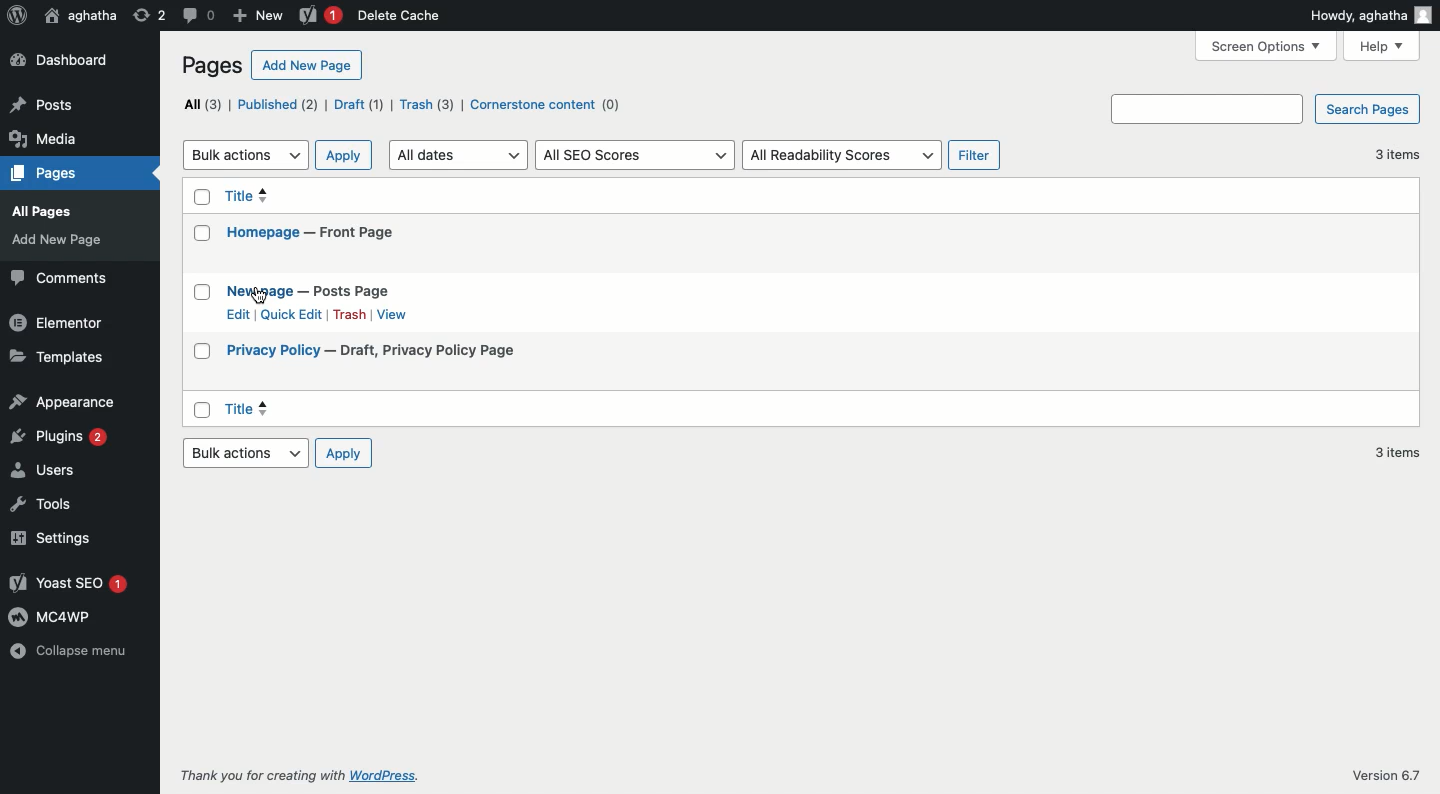  What do you see at coordinates (149, 16) in the screenshot?
I see `Revisions` at bounding box center [149, 16].